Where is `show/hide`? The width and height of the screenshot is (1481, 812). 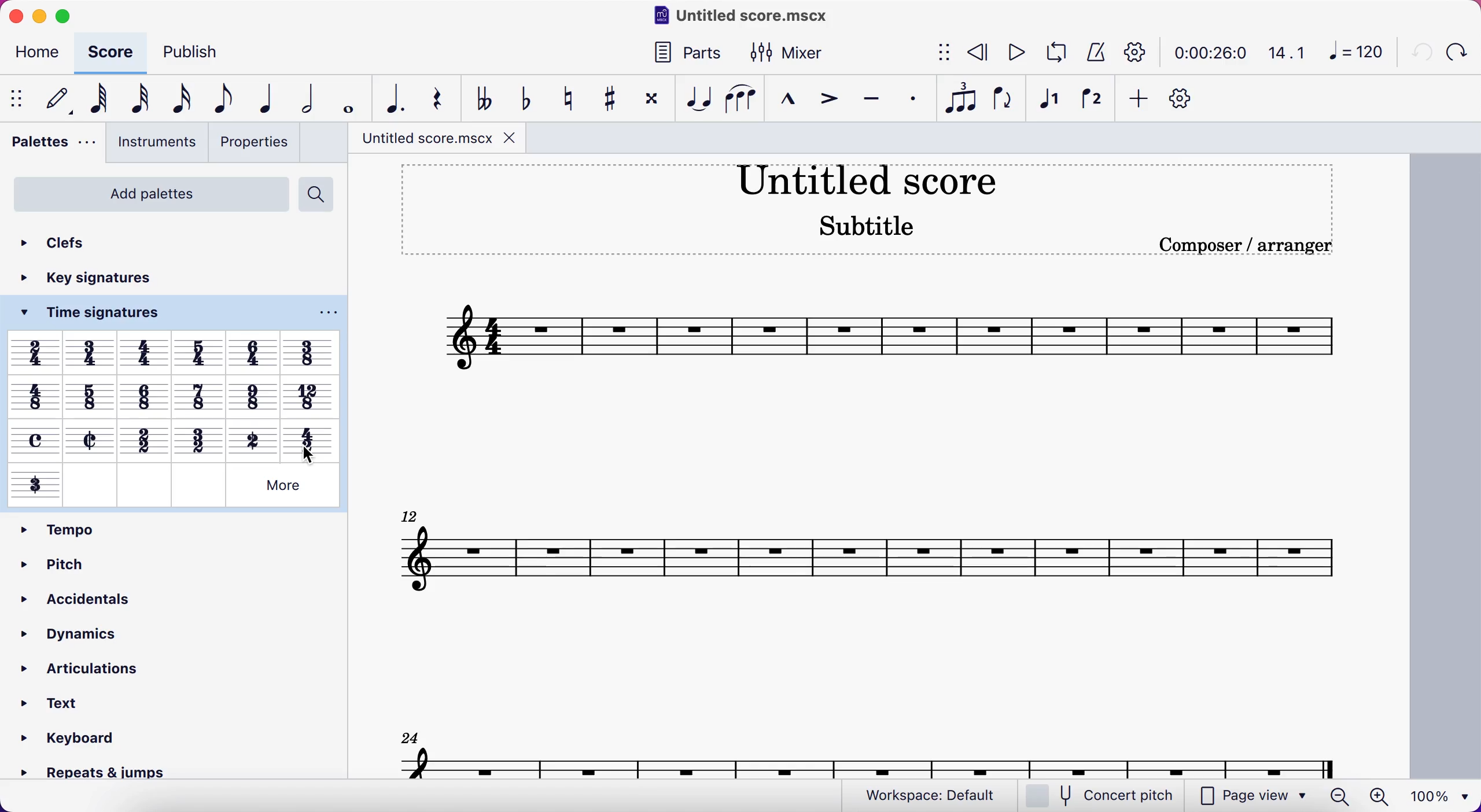 show/hide is located at coordinates (19, 97).